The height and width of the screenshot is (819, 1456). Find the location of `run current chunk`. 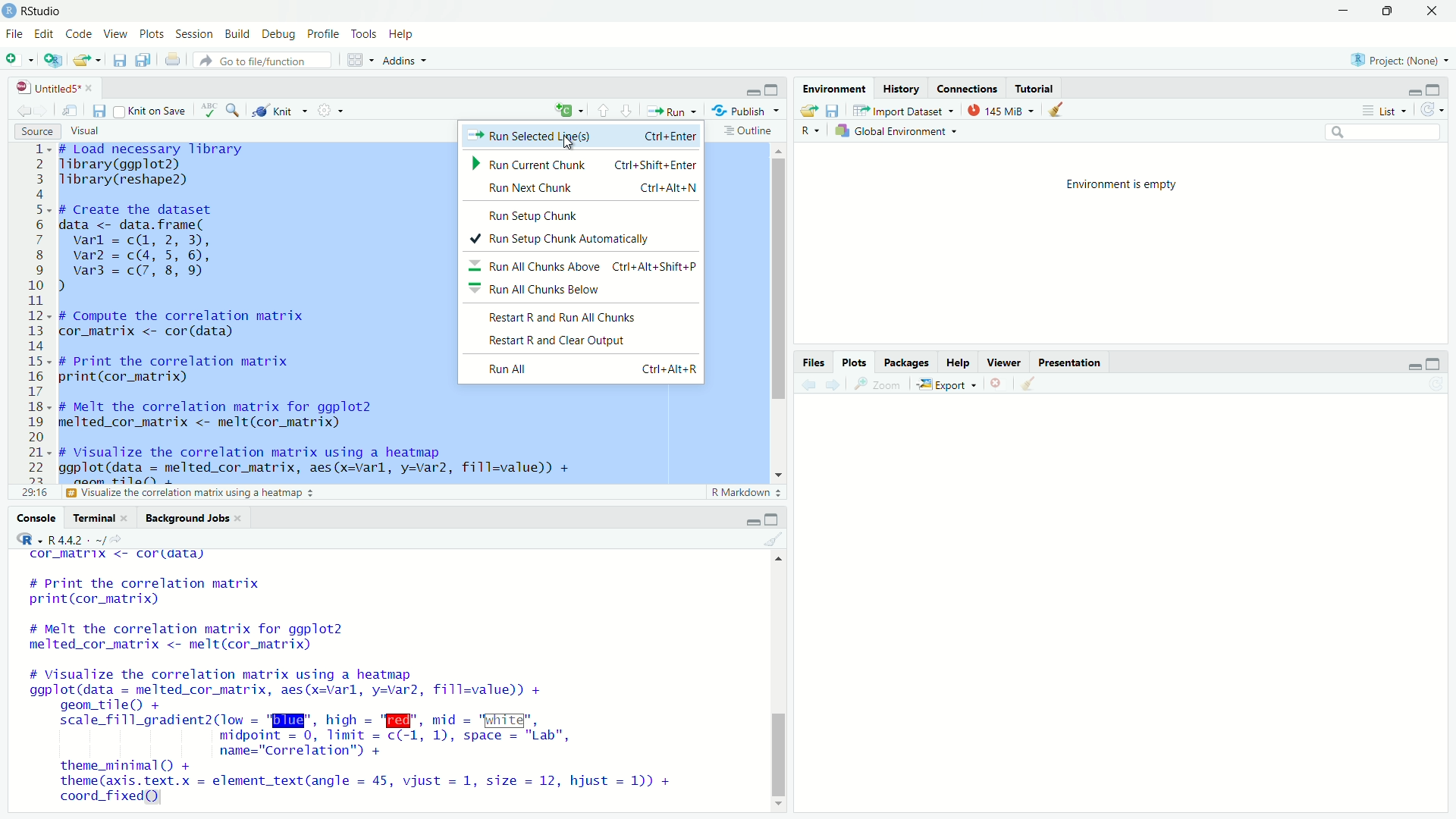

run current chunk is located at coordinates (581, 162).